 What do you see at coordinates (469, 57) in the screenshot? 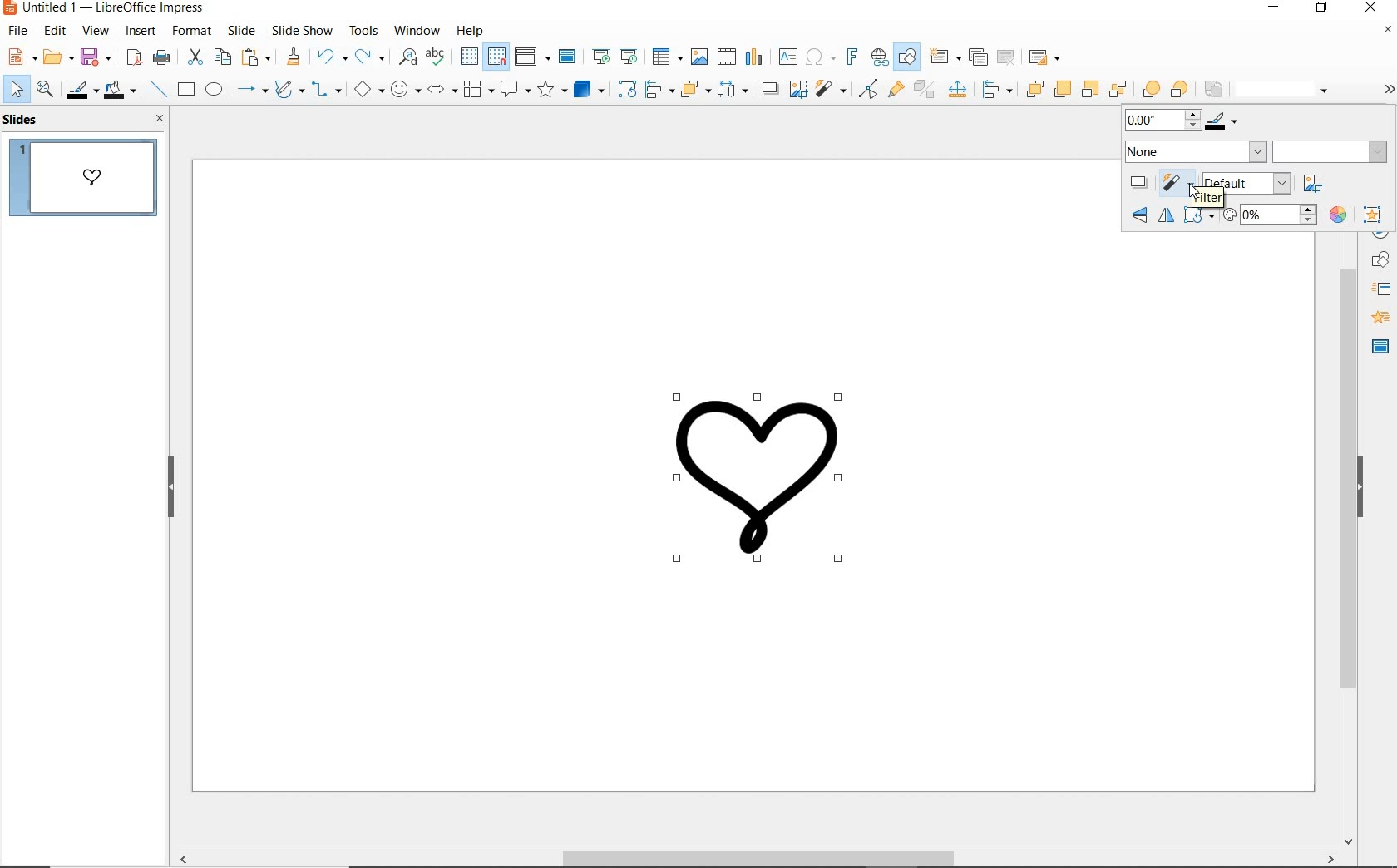
I see `display grid` at bounding box center [469, 57].